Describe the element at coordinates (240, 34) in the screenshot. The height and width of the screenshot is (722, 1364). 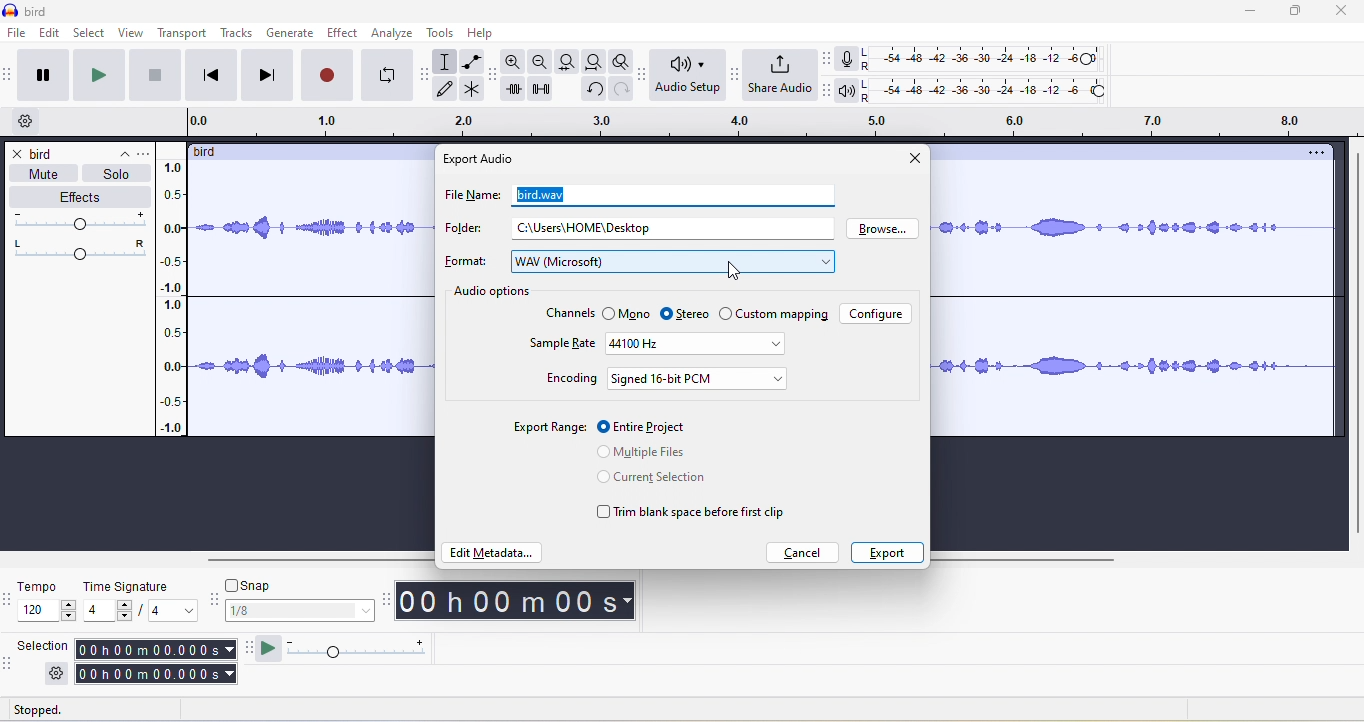
I see `tracks` at that location.